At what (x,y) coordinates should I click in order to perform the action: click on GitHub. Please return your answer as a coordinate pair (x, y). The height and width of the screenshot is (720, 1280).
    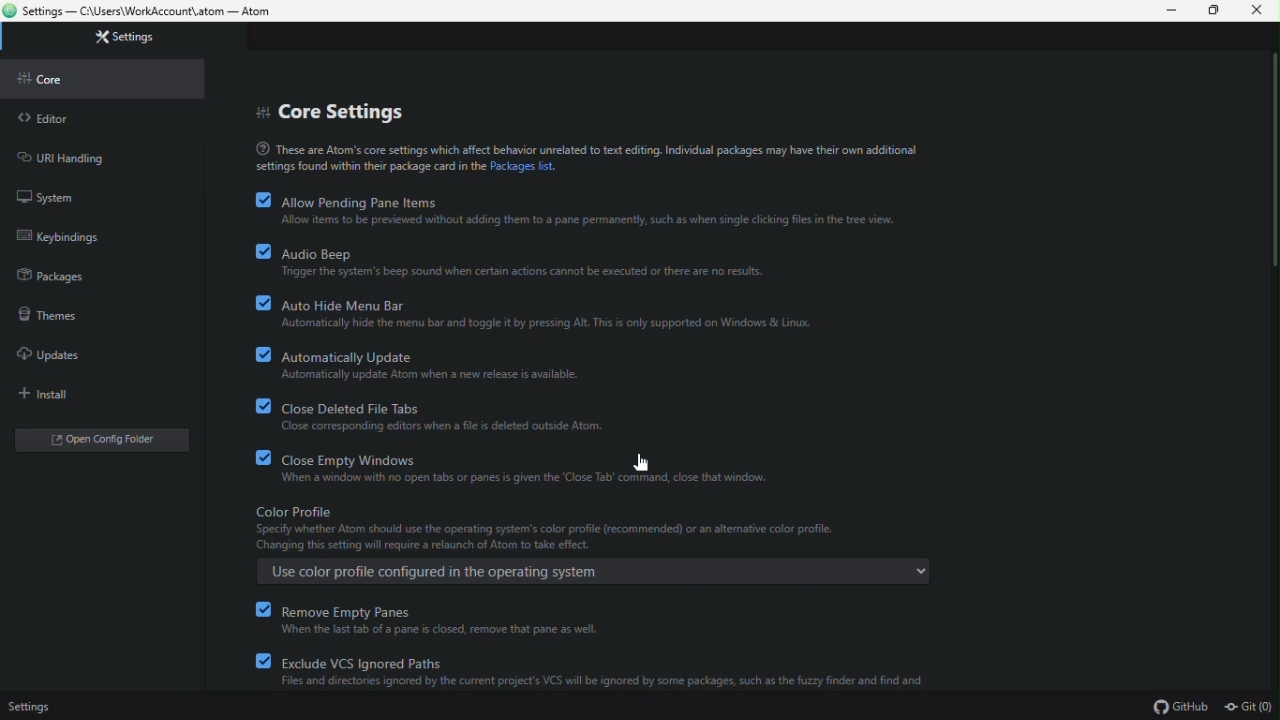
    Looking at the image, I should click on (1180, 706).